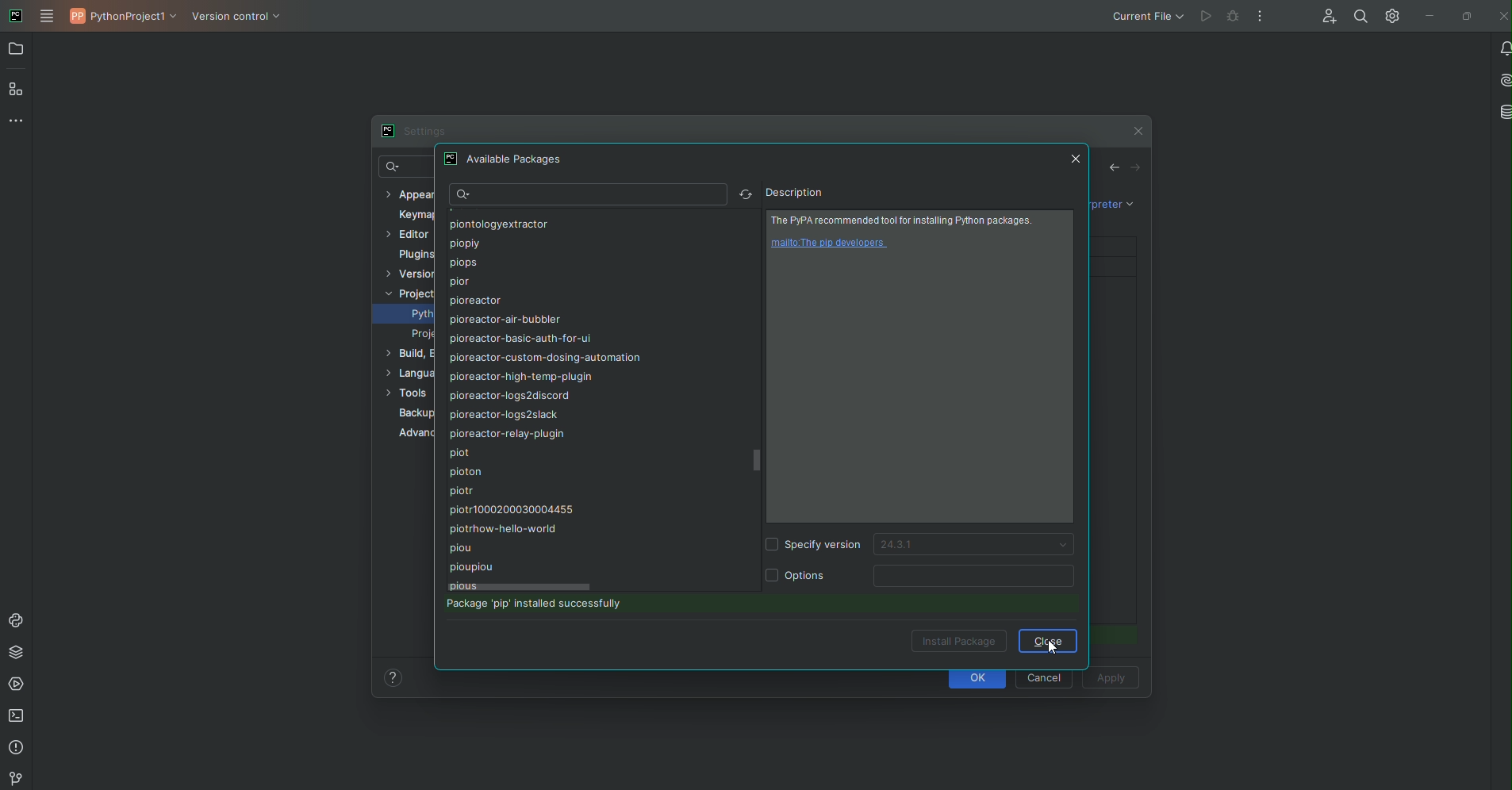 The height and width of the screenshot is (790, 1512). Describe the element at coordinates (125, 19) in the screenshot. I see `PythonProject1` at that location.